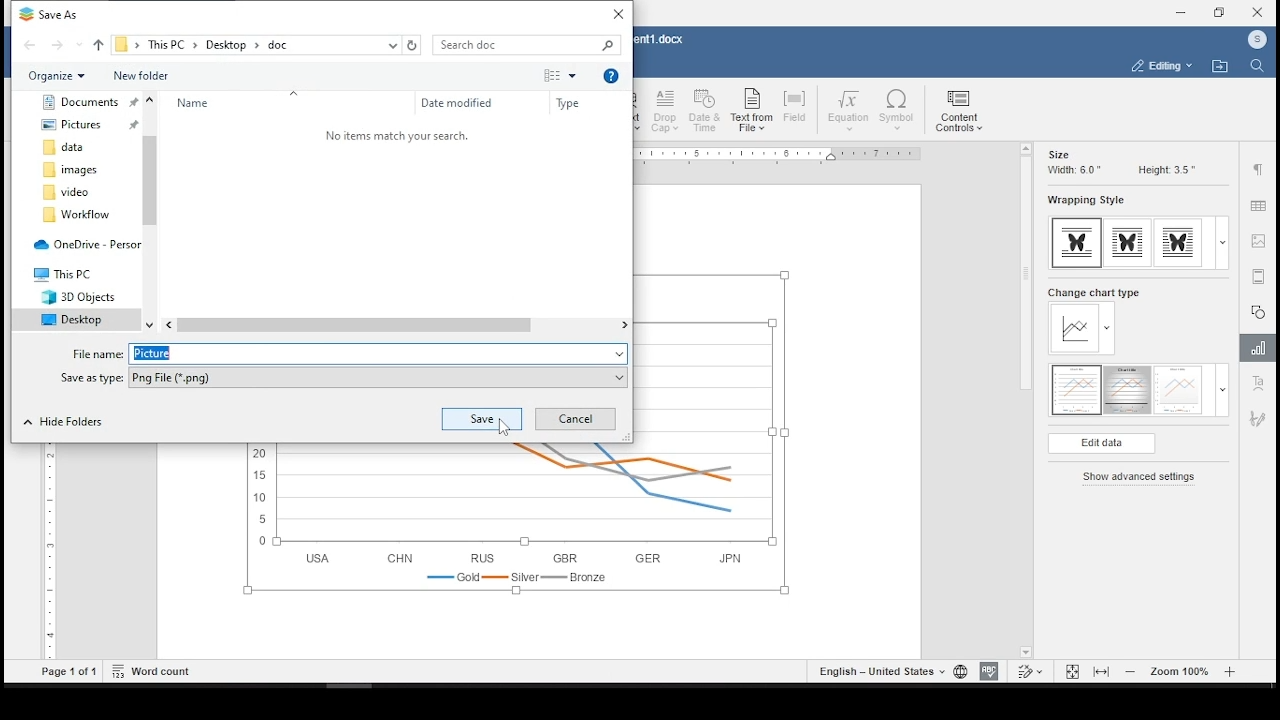 The image size is (1280, 720). What do you see at coordinates (392, 45) in the screenshot?
I see `recent locations` at bounding box center [392, 45].